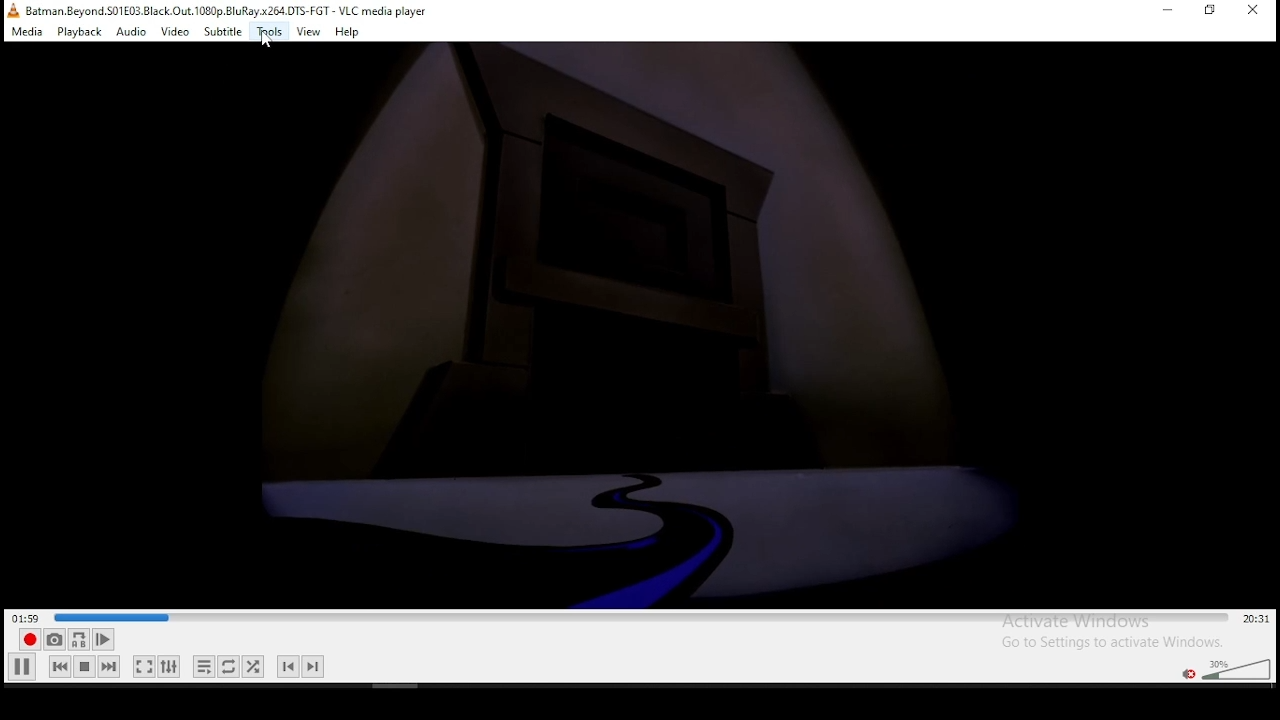 Image resolution: width=1280 pixels, height=720 pixels. I want to click on record, so click(27, 640).